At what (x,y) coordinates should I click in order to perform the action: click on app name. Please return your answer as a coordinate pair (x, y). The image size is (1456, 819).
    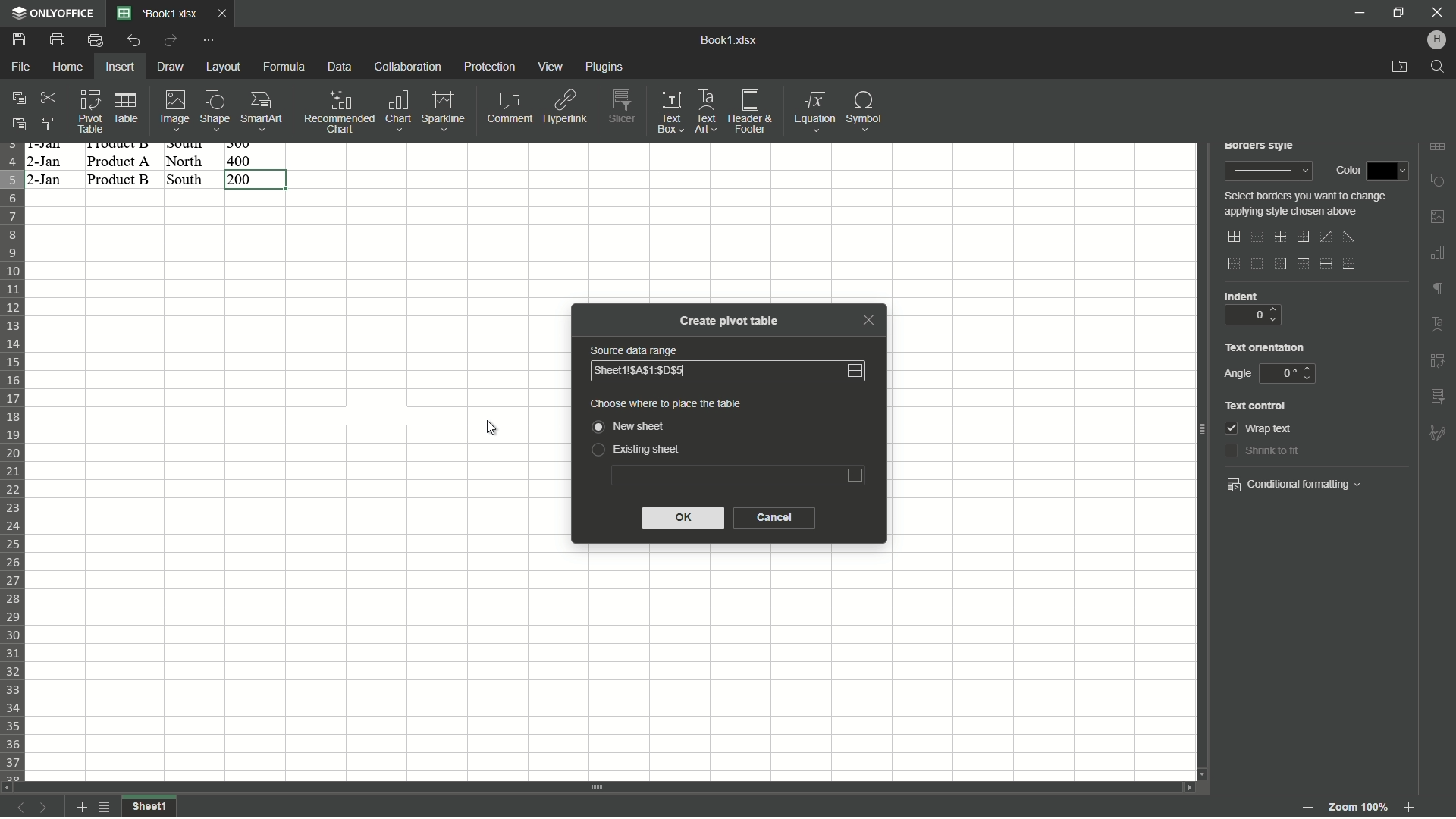
    Looking at the image, I should click on (52, 14).